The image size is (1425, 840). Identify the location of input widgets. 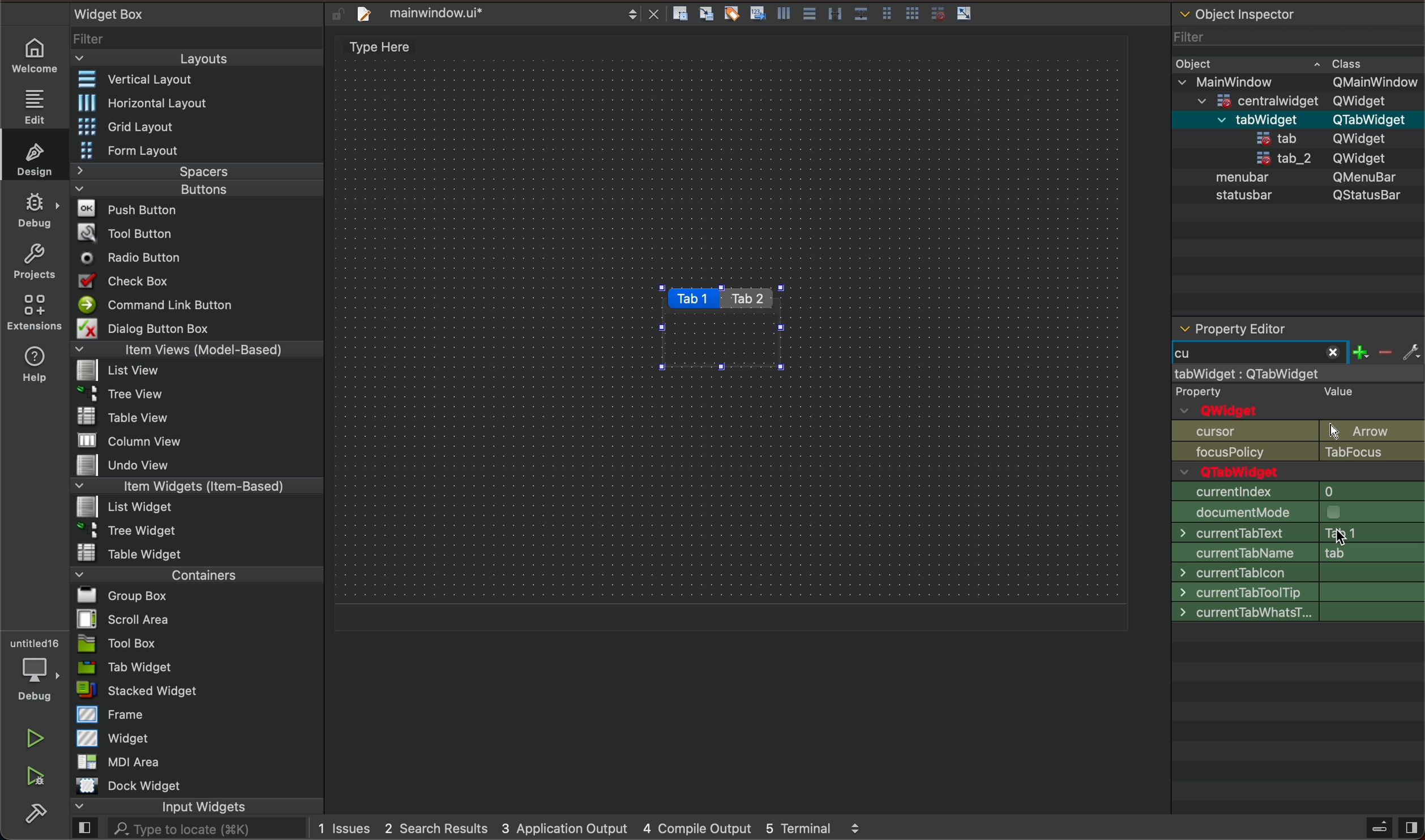
(199, 808).